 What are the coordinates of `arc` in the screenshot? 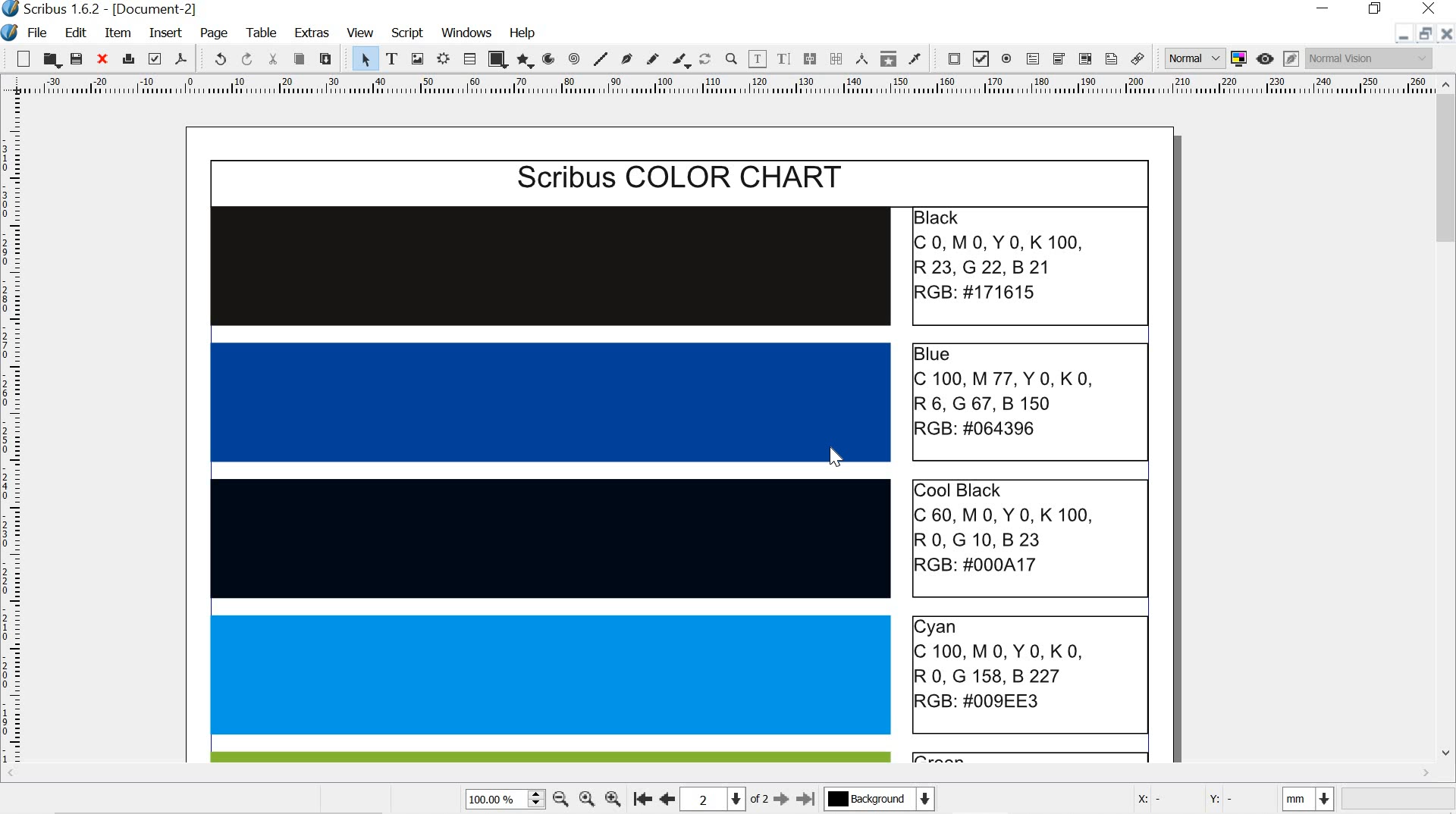 It's located at (551, 58).